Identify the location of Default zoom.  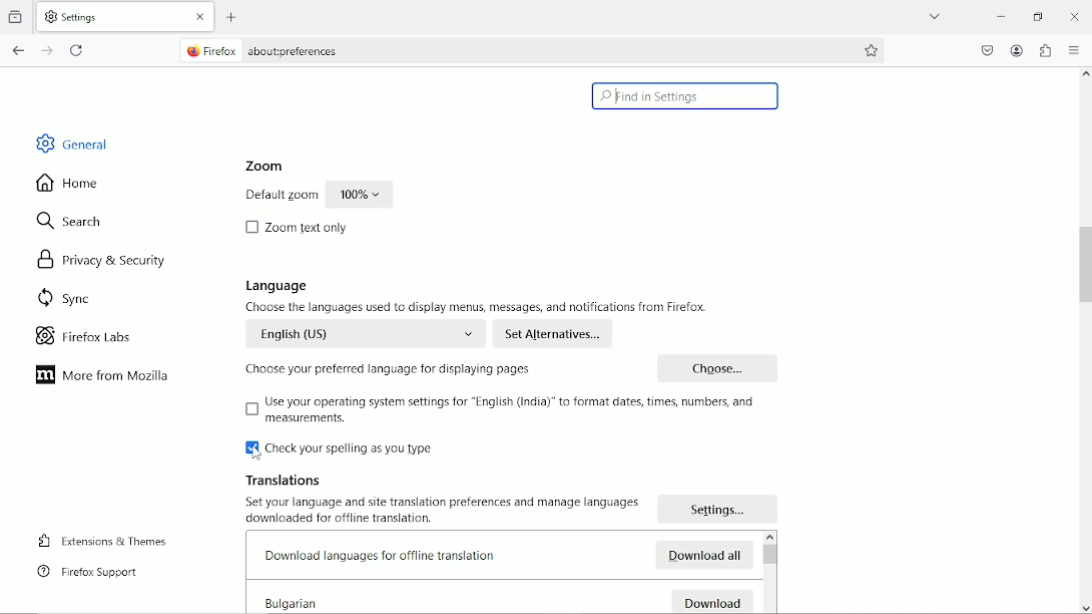
(279, 196).